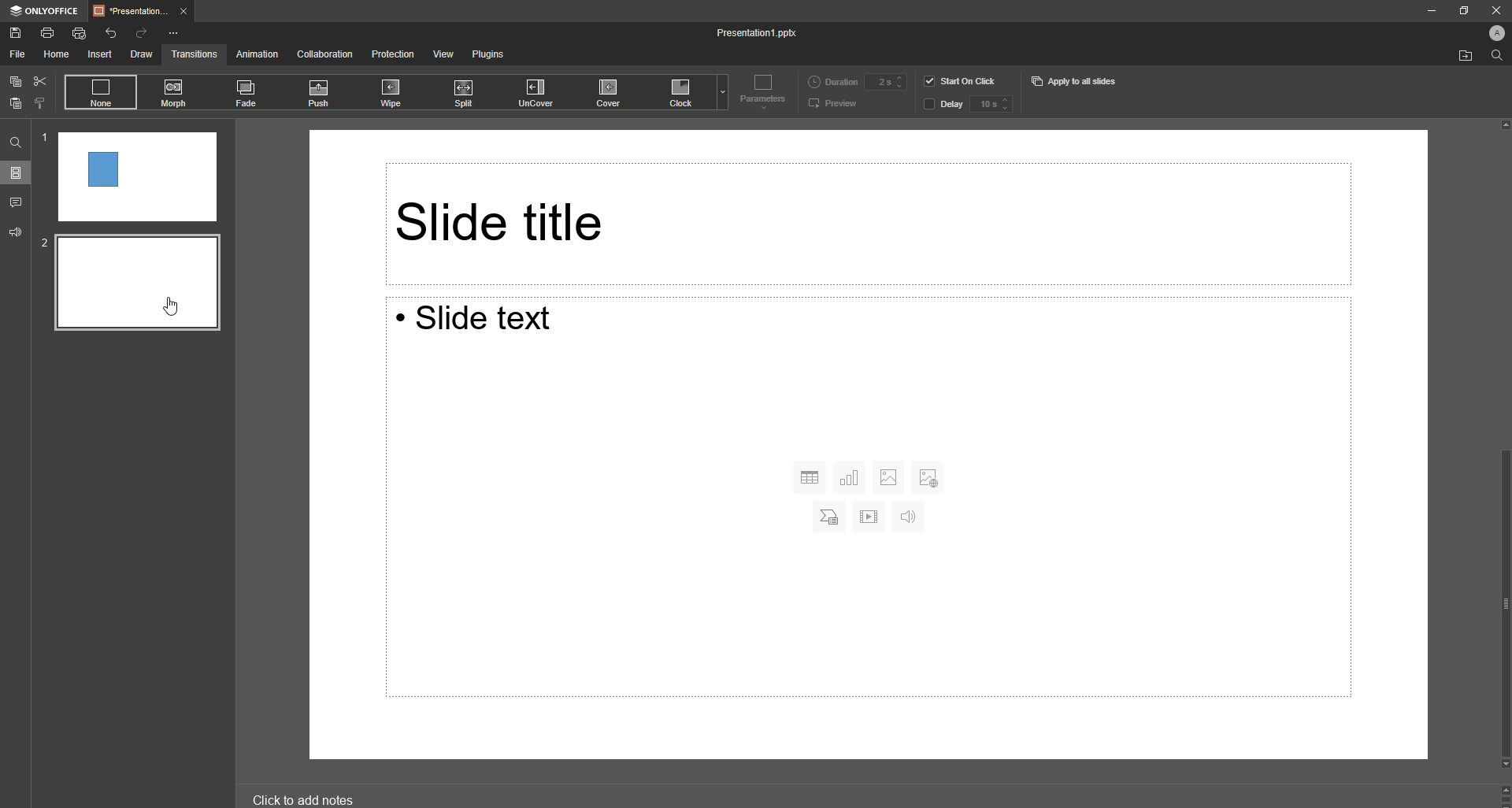  I want to click on Push, so click(318, 92).